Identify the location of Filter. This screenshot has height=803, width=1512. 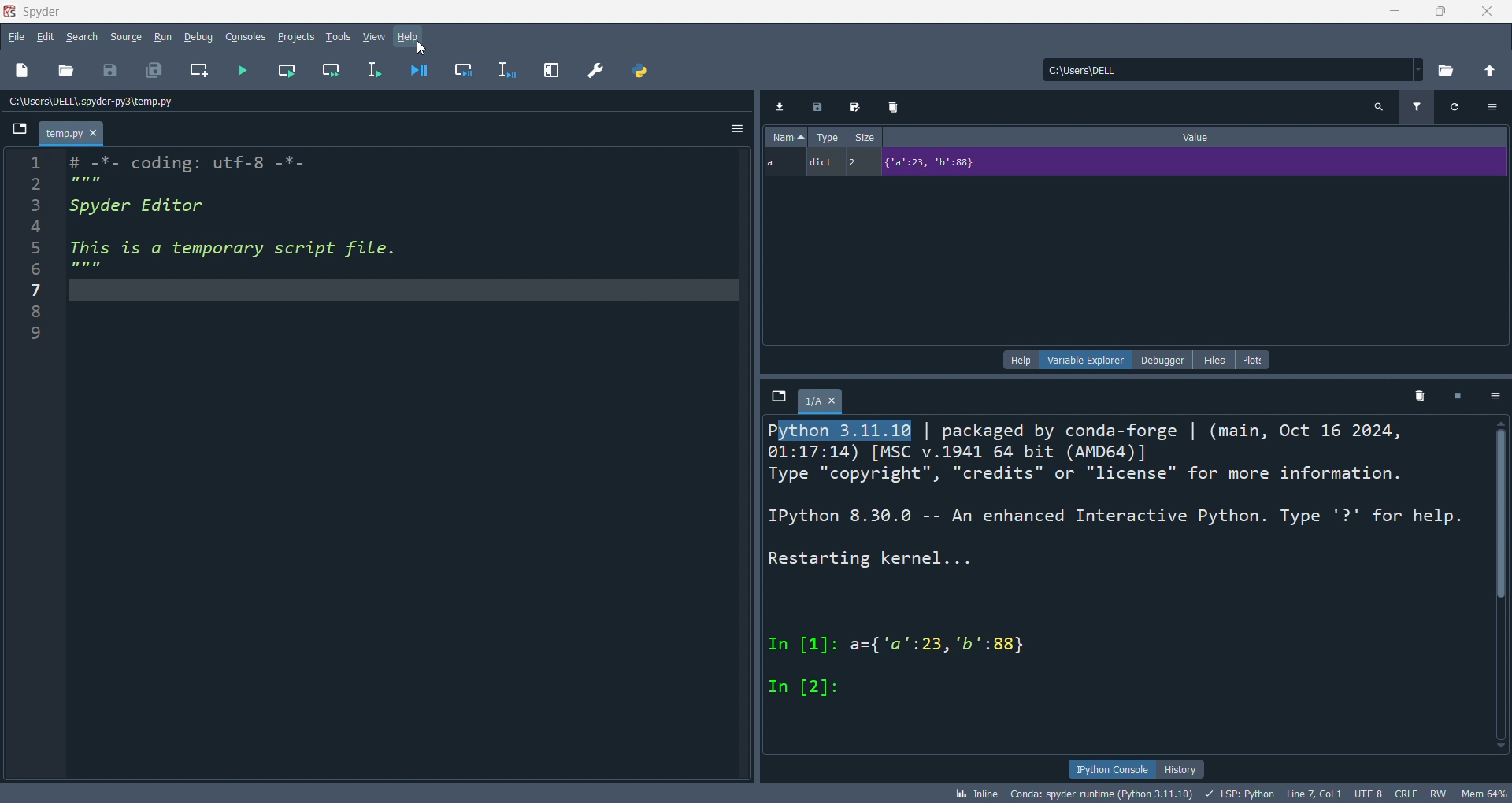
(1417, 108).